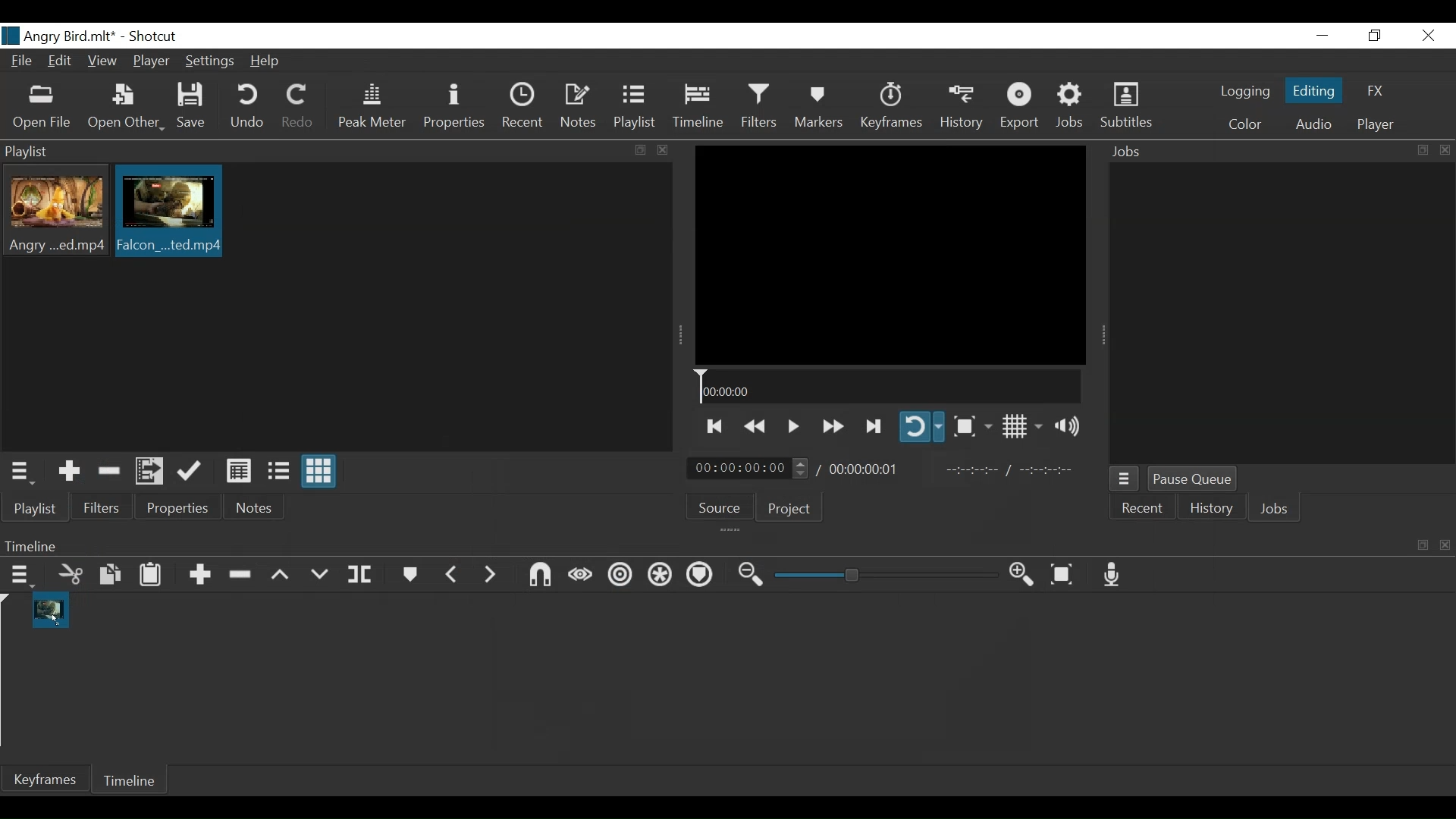 This screenshot has height=819, width=1456. I want to click on Ripple all tracks, so click(661, 576).